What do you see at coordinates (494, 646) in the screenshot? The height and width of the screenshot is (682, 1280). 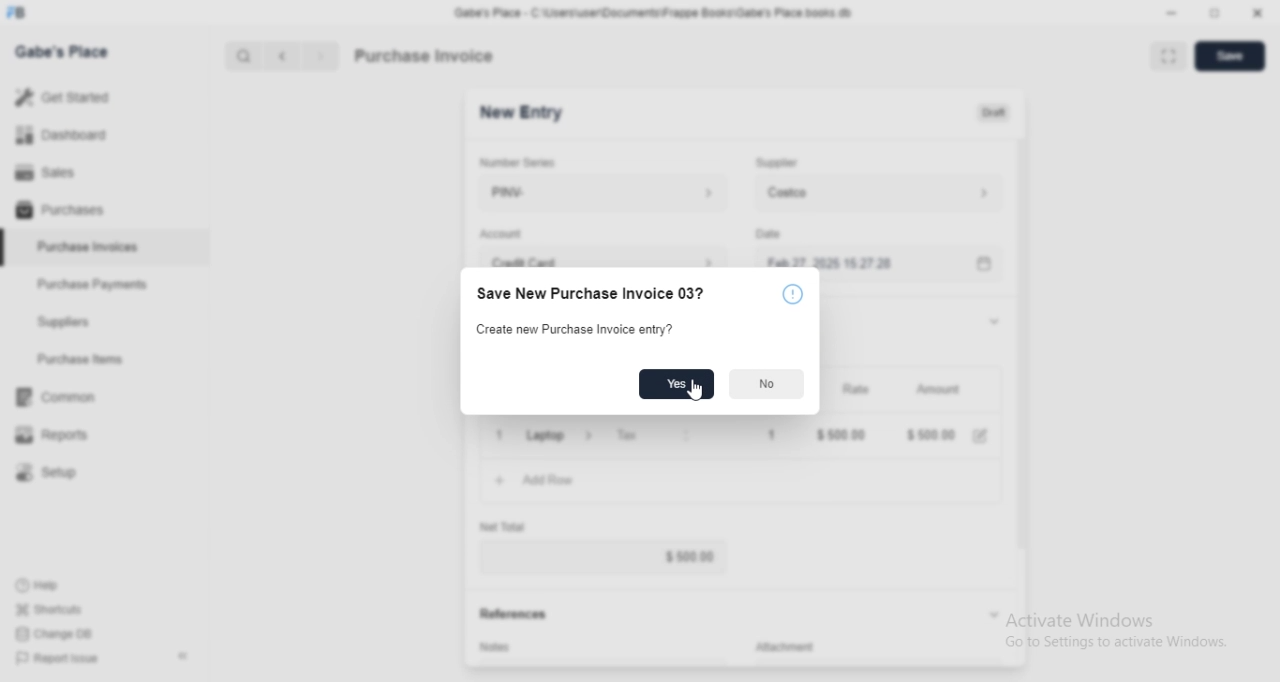 I see `Notes` at bounding box center [494, 646].